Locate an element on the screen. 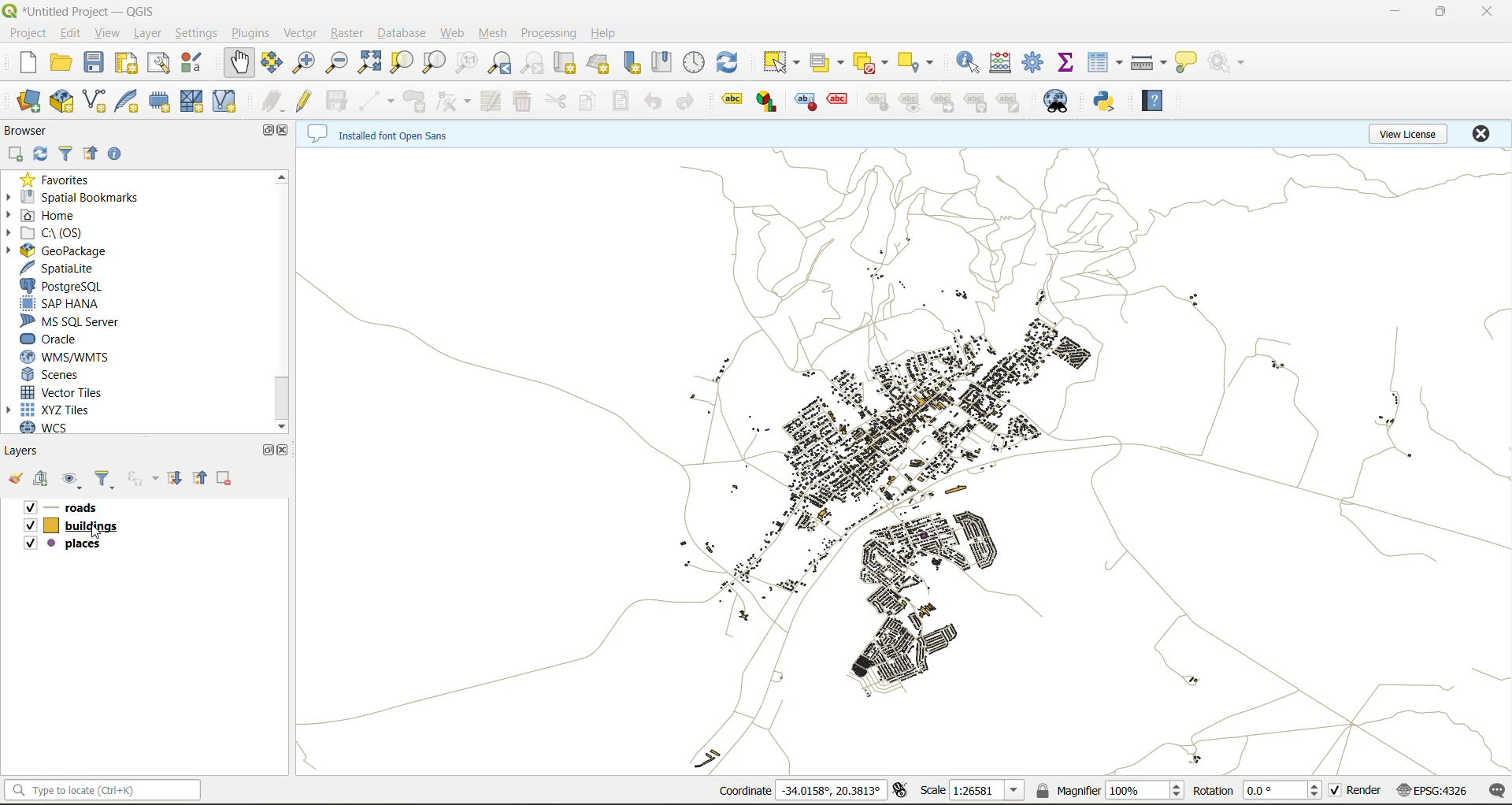 The width and height of the screenshot is (1512, 805). save edits is located at coordinates (343, 104).